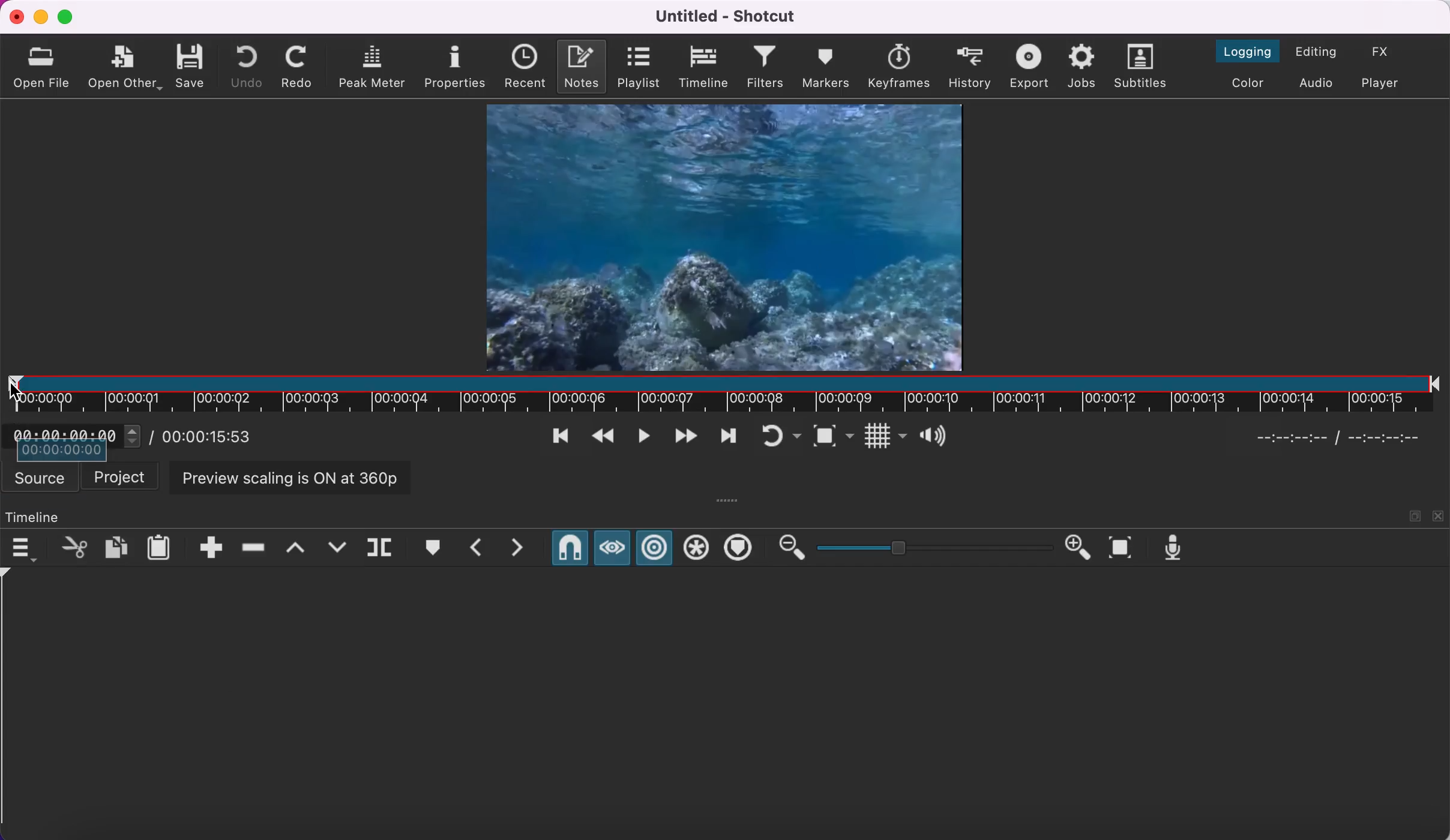  Describe the element at coordinates (293, 548) in the screenshot. I see `lift` at that location.